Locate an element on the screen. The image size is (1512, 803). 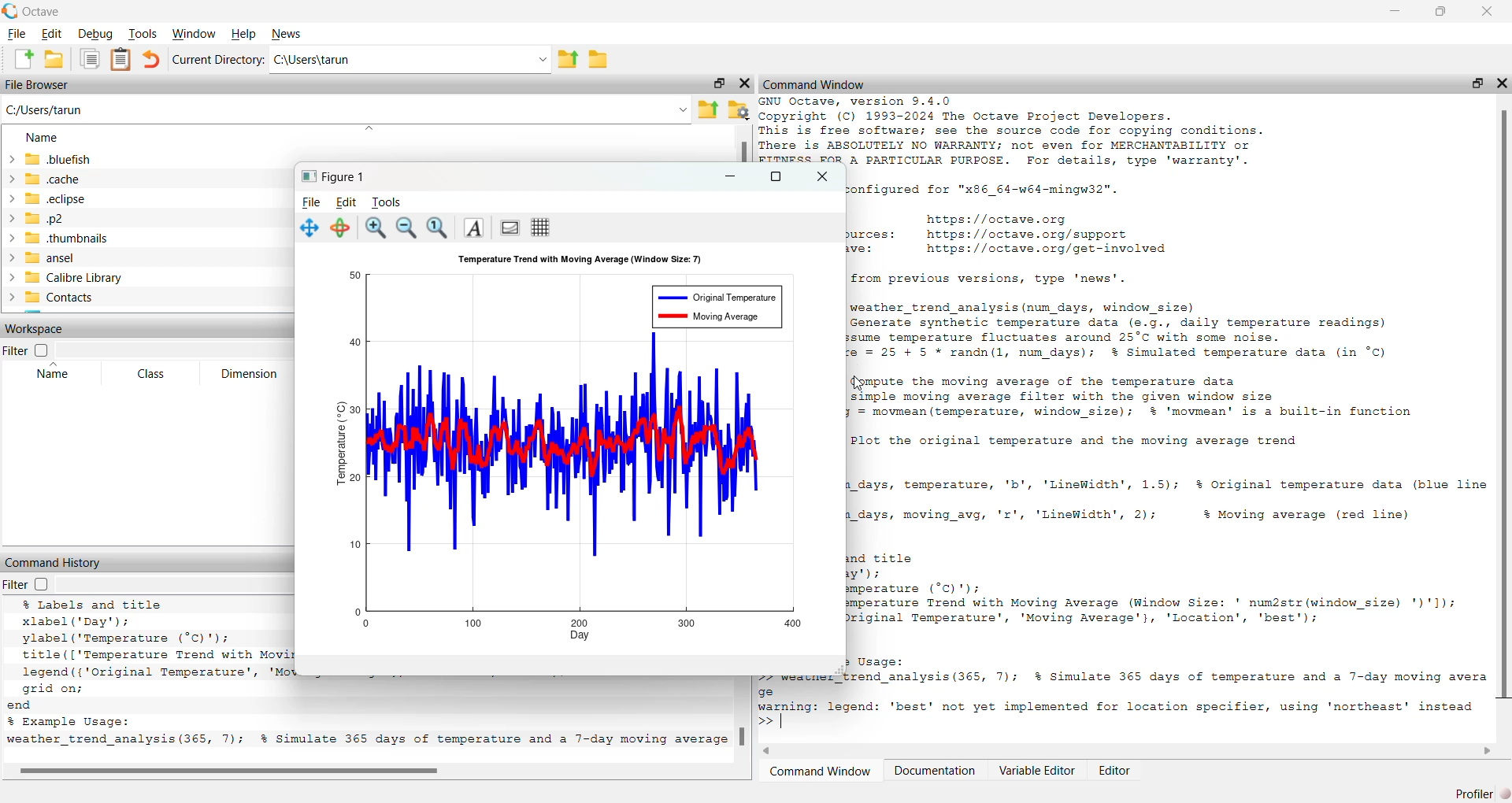
.eclipse is located at coordinates (48, 200).